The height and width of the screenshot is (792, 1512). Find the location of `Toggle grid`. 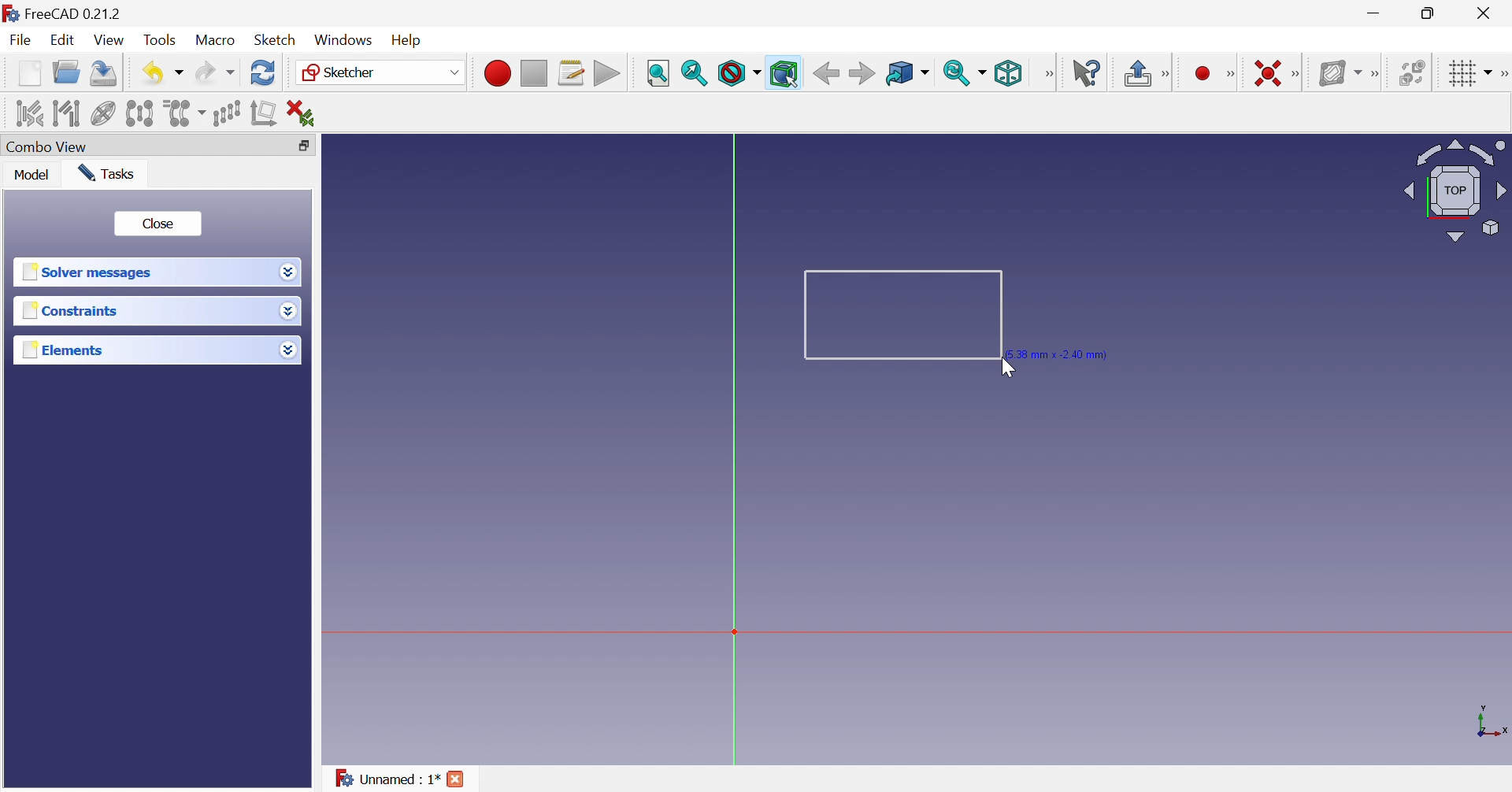

Toggle grid is located at coordinates (1469, 72).